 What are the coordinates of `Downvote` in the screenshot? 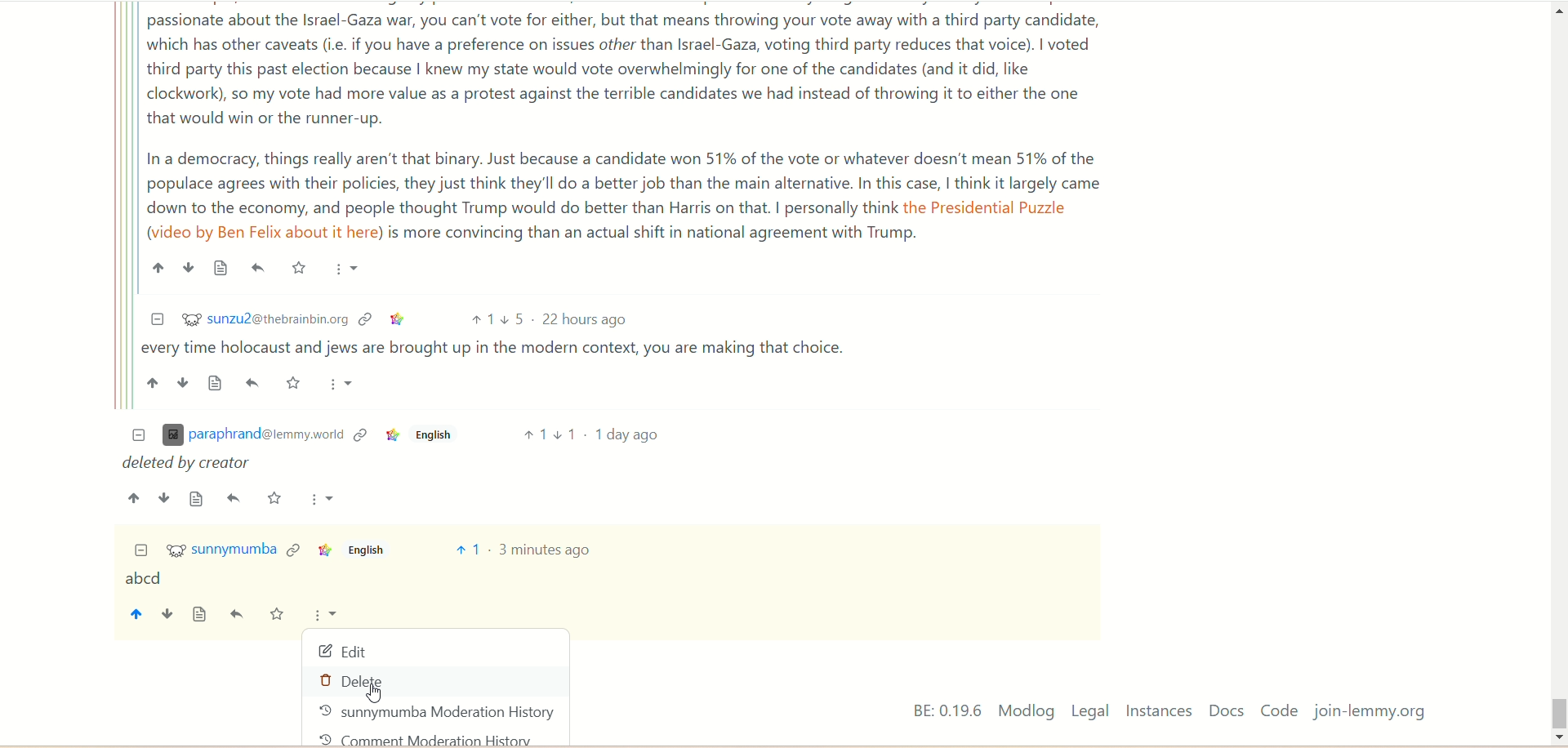 It's located at (164, 498).